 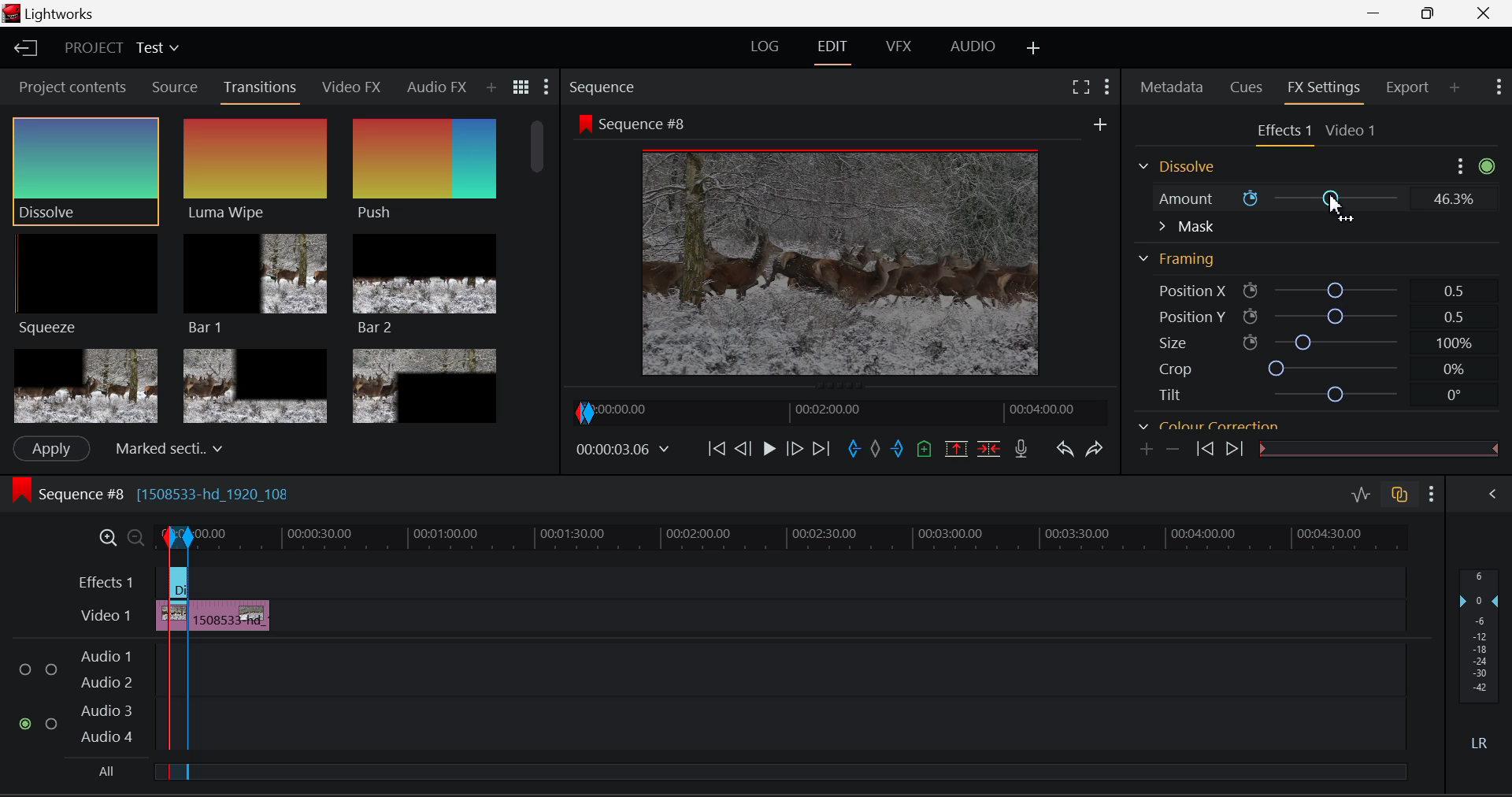 I want to click on Minimize, so click(x=1431, y=14).